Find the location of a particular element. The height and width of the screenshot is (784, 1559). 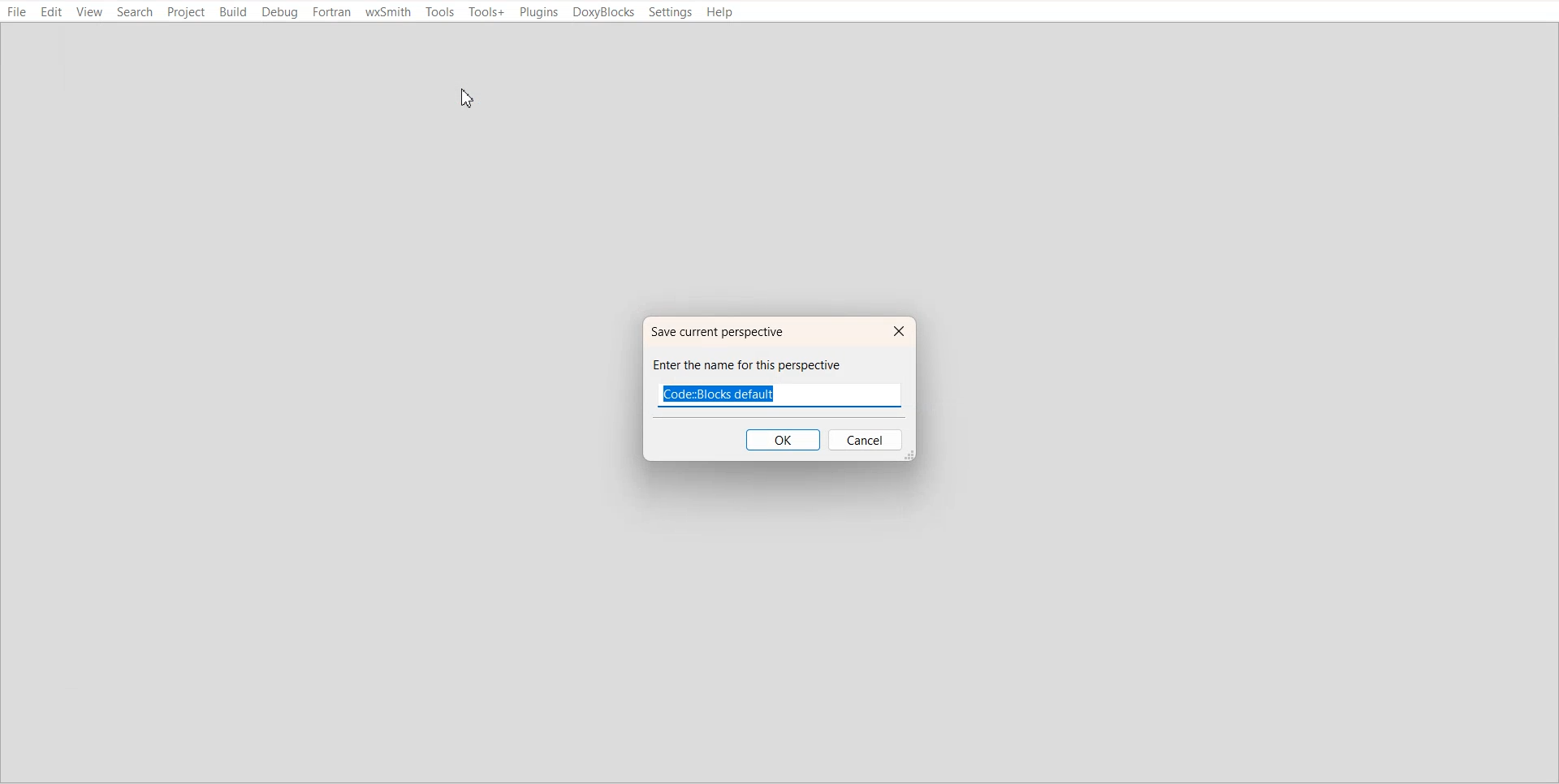

Debug is located at coordinates (281, 13).